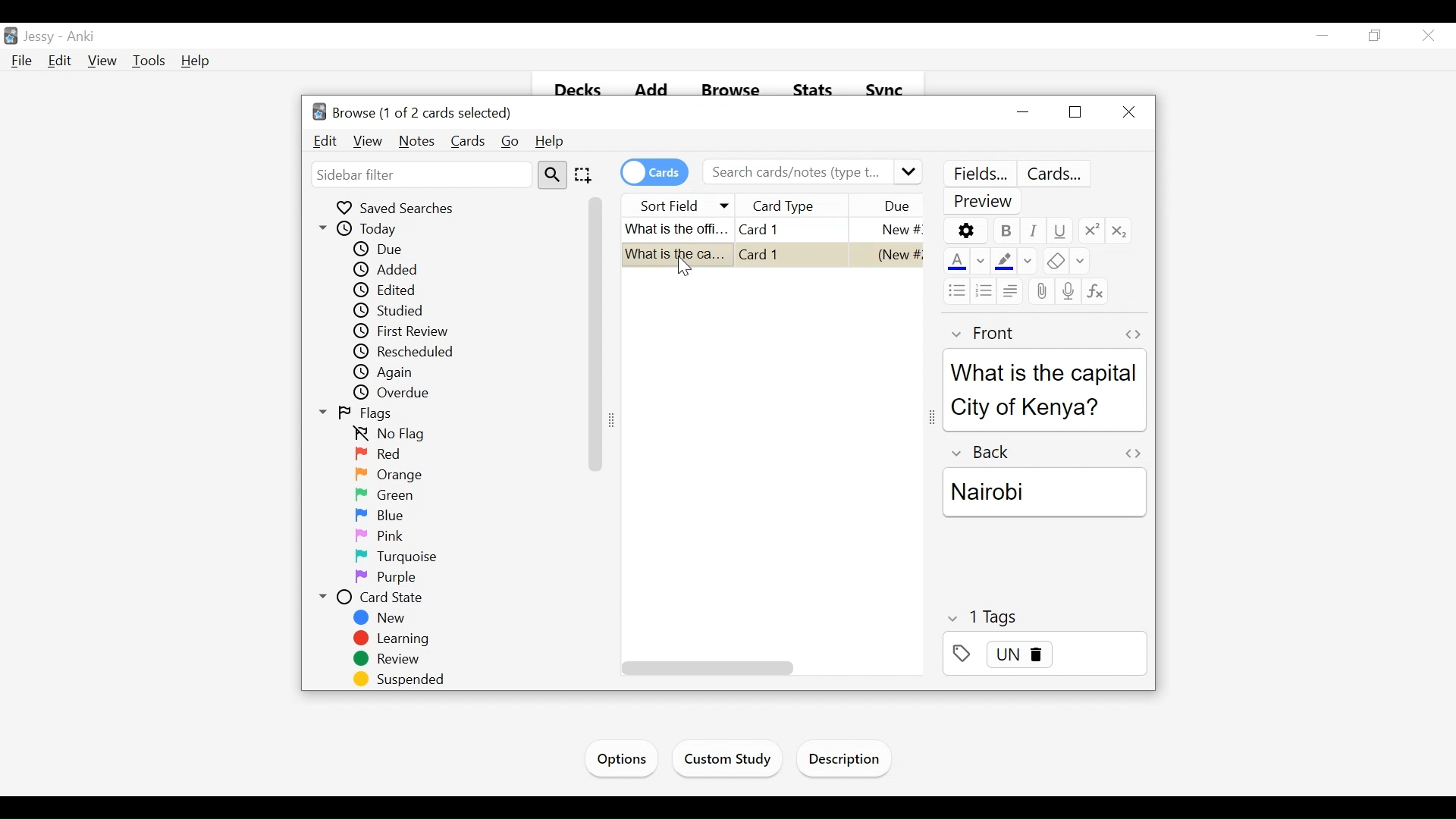 The image size is (1456, 819). What do you see at coordinates (886, 92) in the screenshot?
I see `Sync` at bounding box center [886, 92].